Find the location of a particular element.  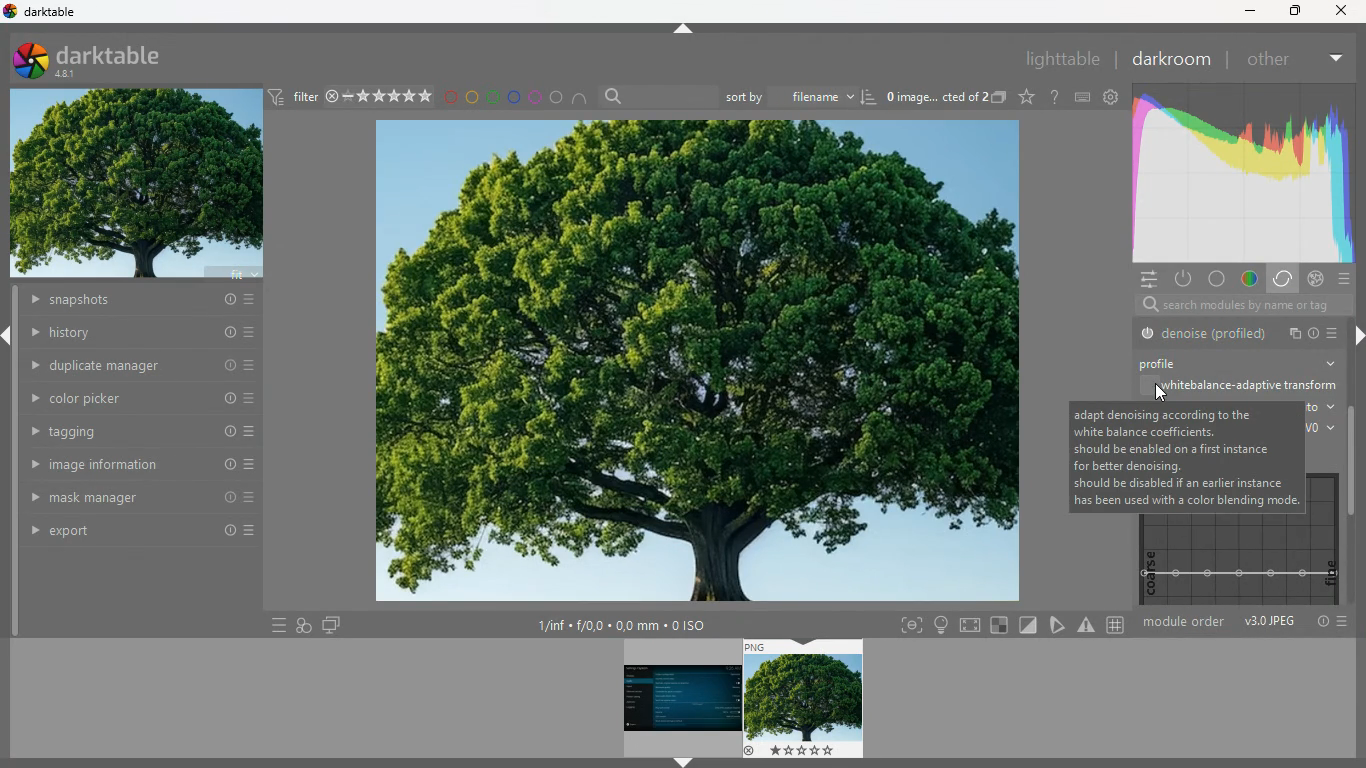

minimize is located at coordinates (1250, 12).